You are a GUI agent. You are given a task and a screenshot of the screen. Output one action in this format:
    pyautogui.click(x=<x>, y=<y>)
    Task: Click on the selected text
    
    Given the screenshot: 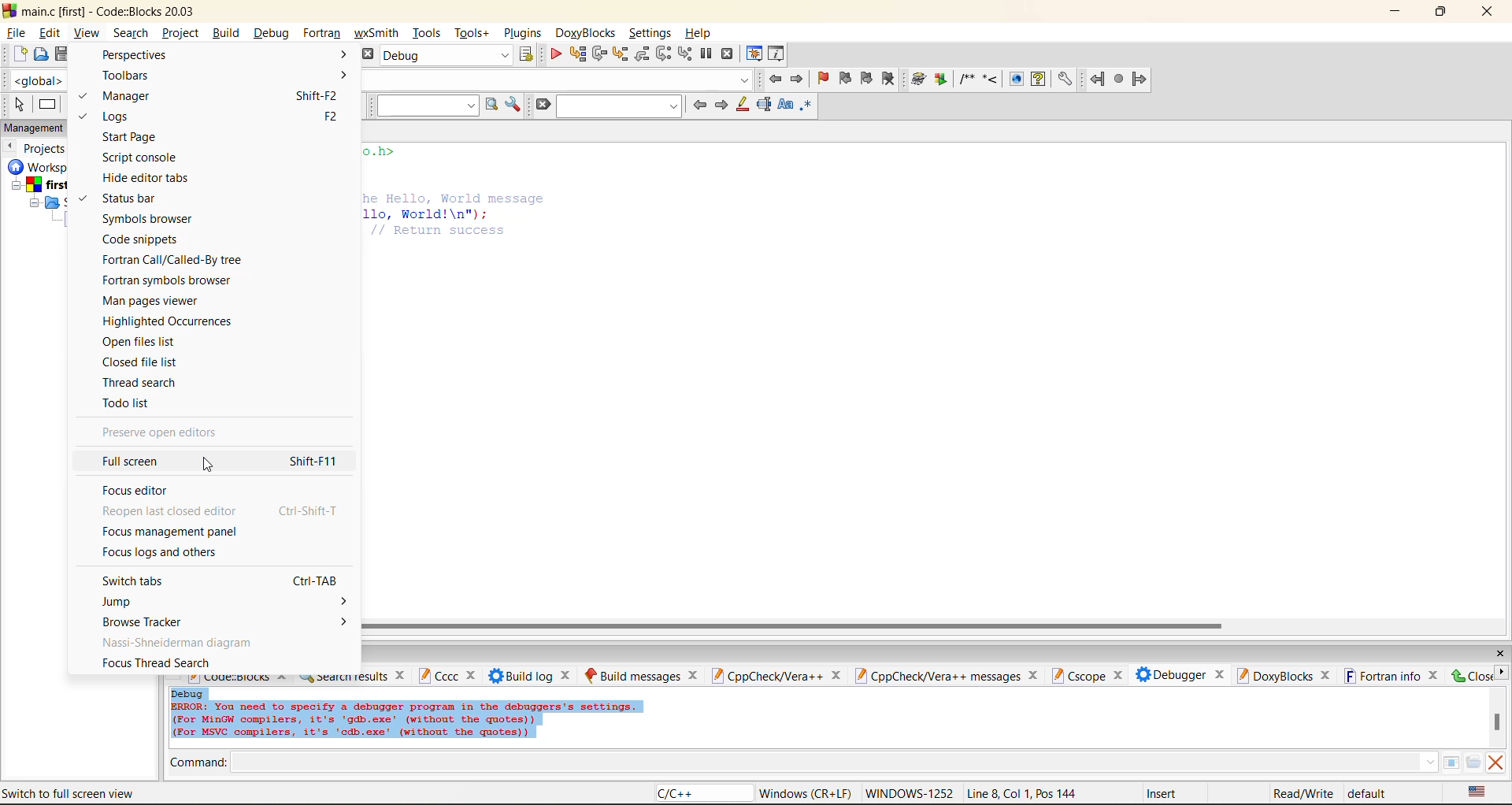 What is the action you would take?
    pyautogui.click(x=764, y=104)
    